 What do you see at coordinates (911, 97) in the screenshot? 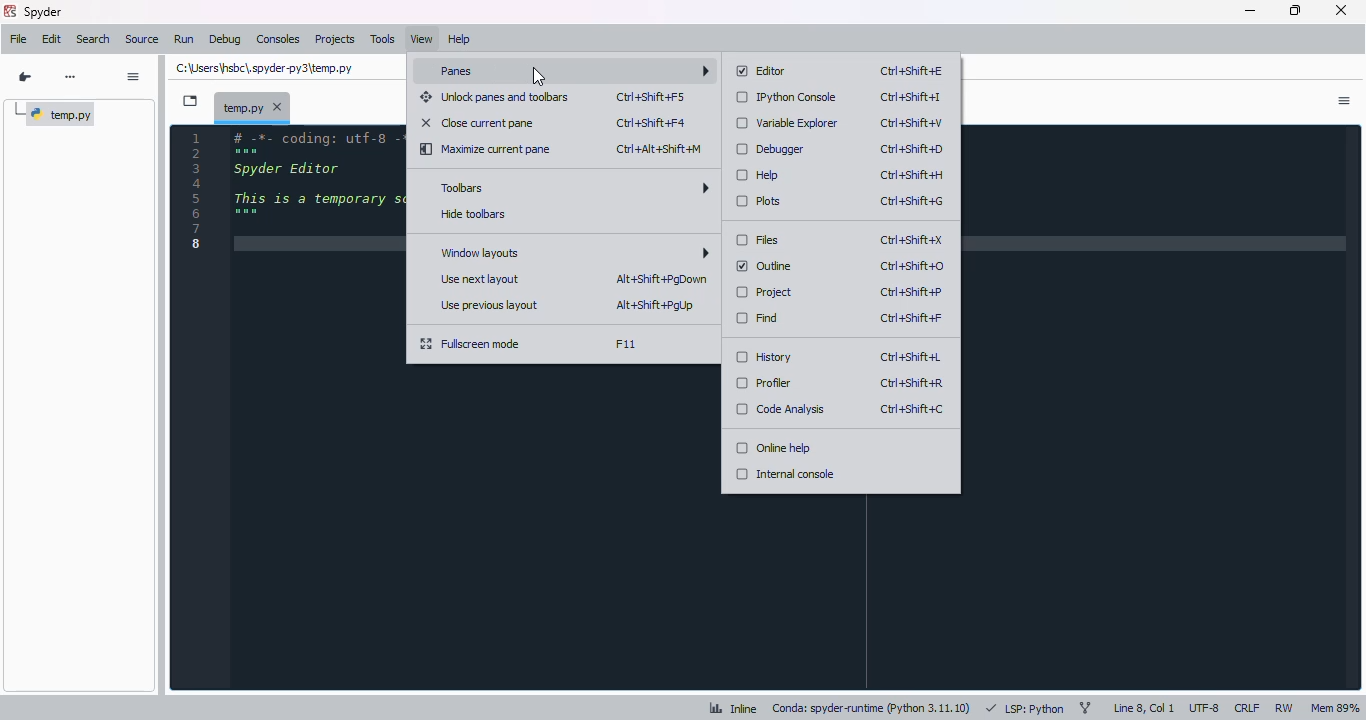
I see `shortcut for IPython console` at bounding box center [911, 97].